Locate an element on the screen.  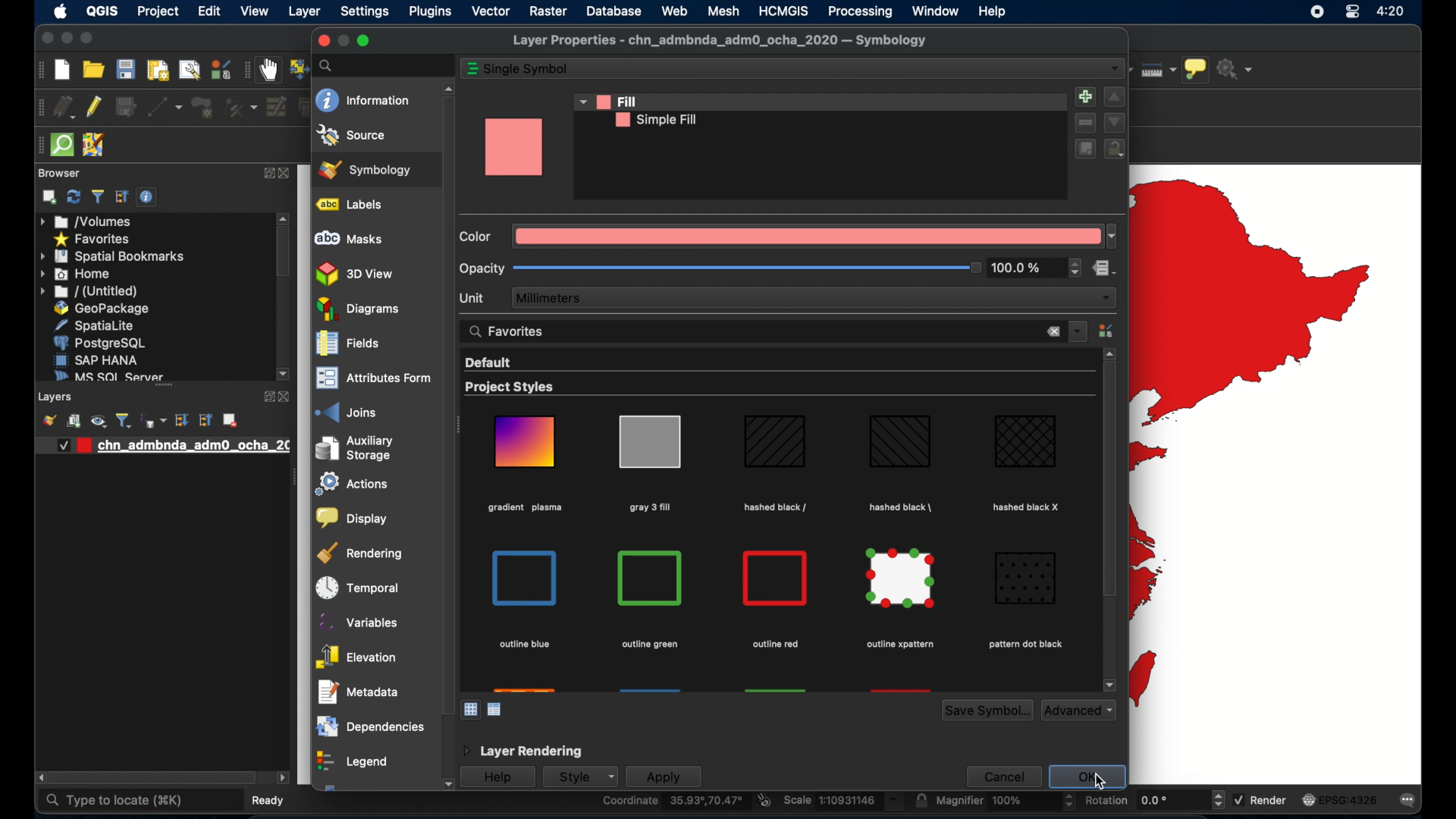
new project is located at coordinates (63, 70).